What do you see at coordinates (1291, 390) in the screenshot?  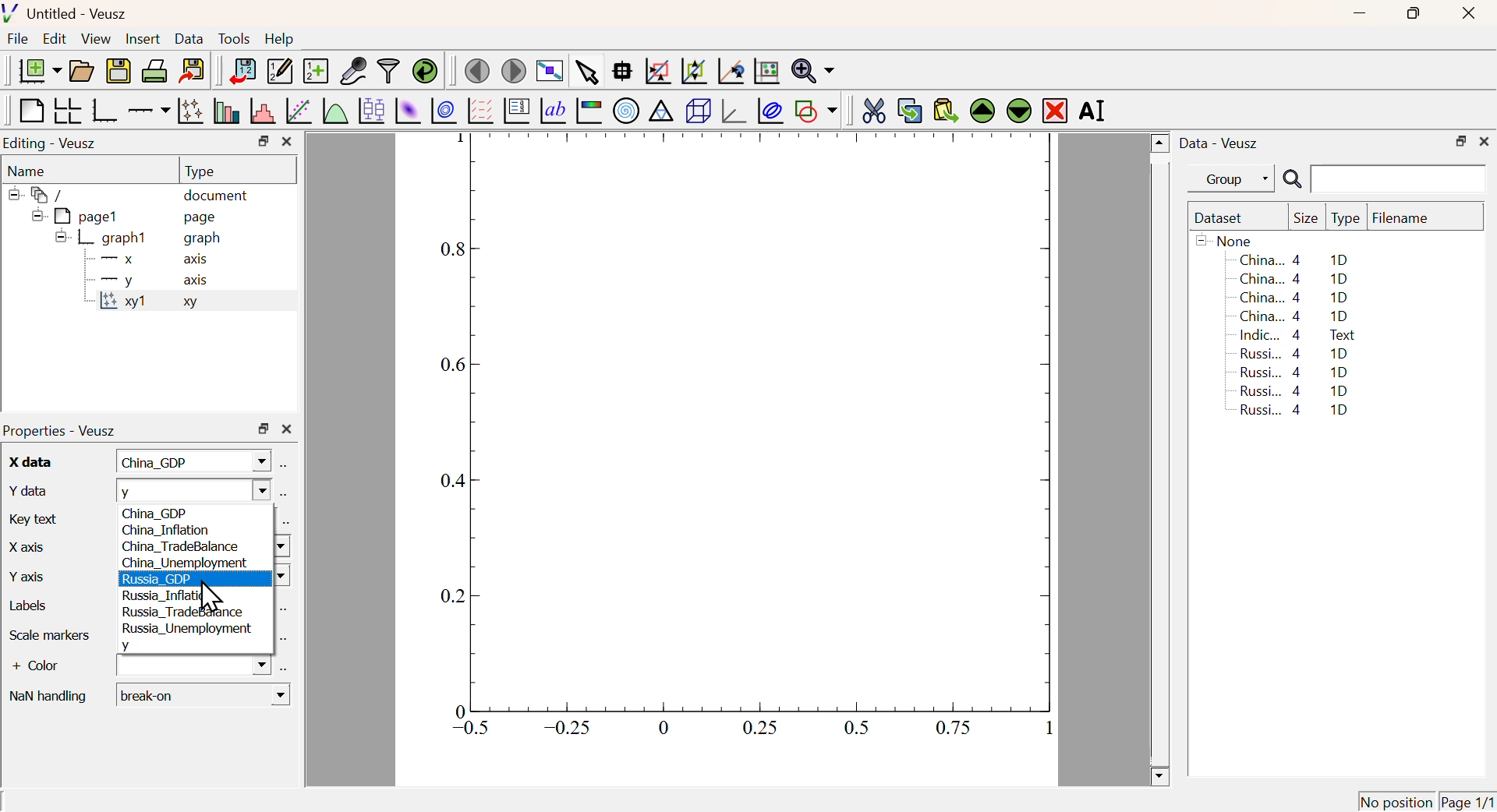 I see `Russi... 4 1D` at bounding box center [1291, 390].